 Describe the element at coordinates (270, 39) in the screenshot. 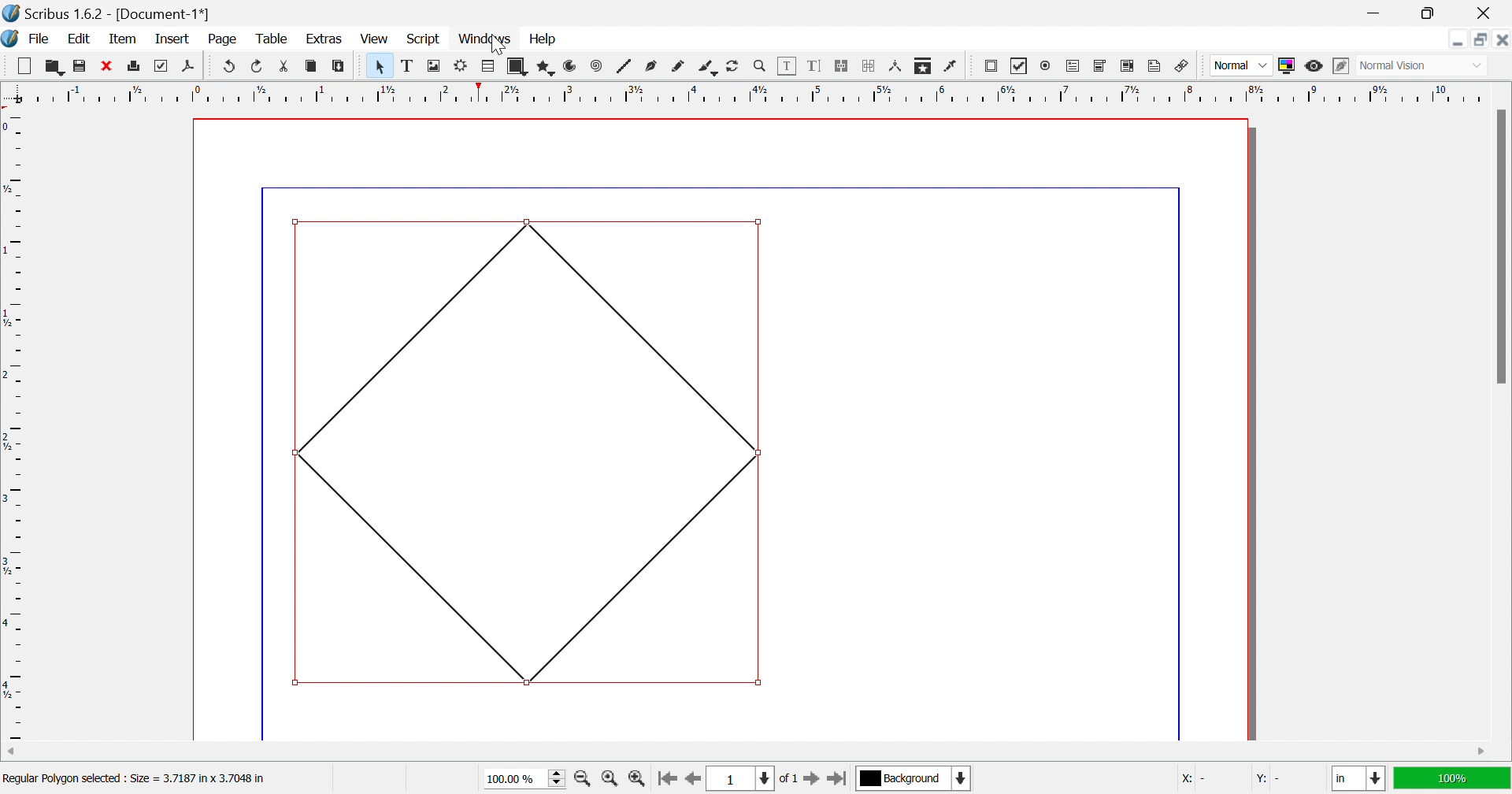

I see `Table` at that location.